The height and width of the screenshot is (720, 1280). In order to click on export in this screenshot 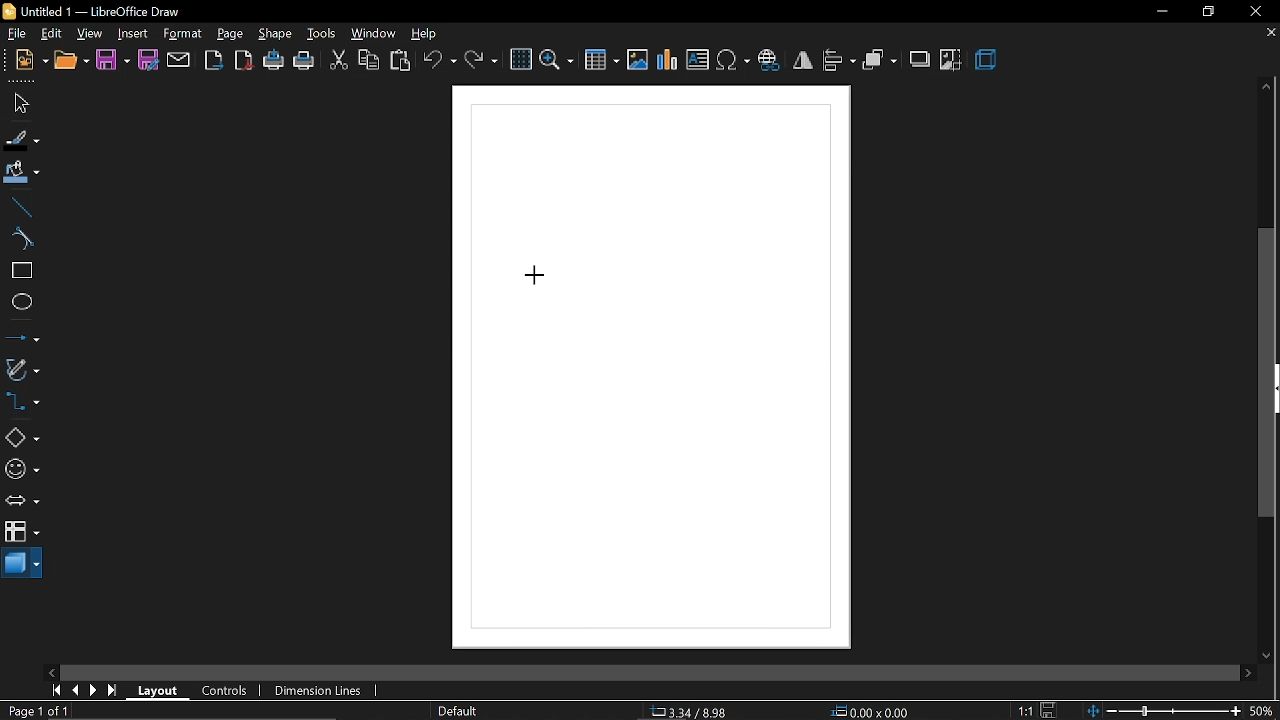, I will do `click(214, 60)`.